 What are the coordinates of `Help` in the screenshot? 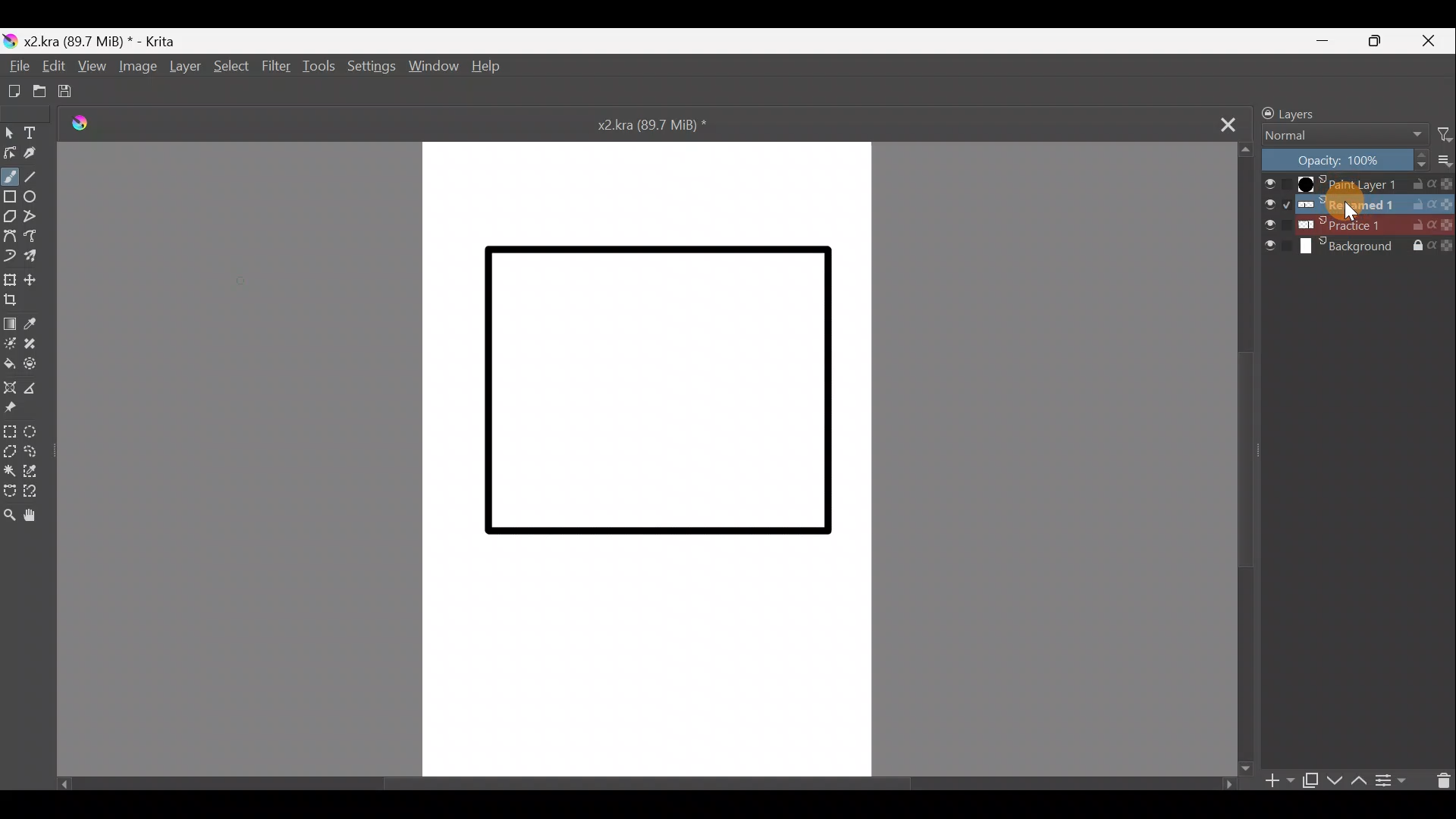 It's located at (491, 65).